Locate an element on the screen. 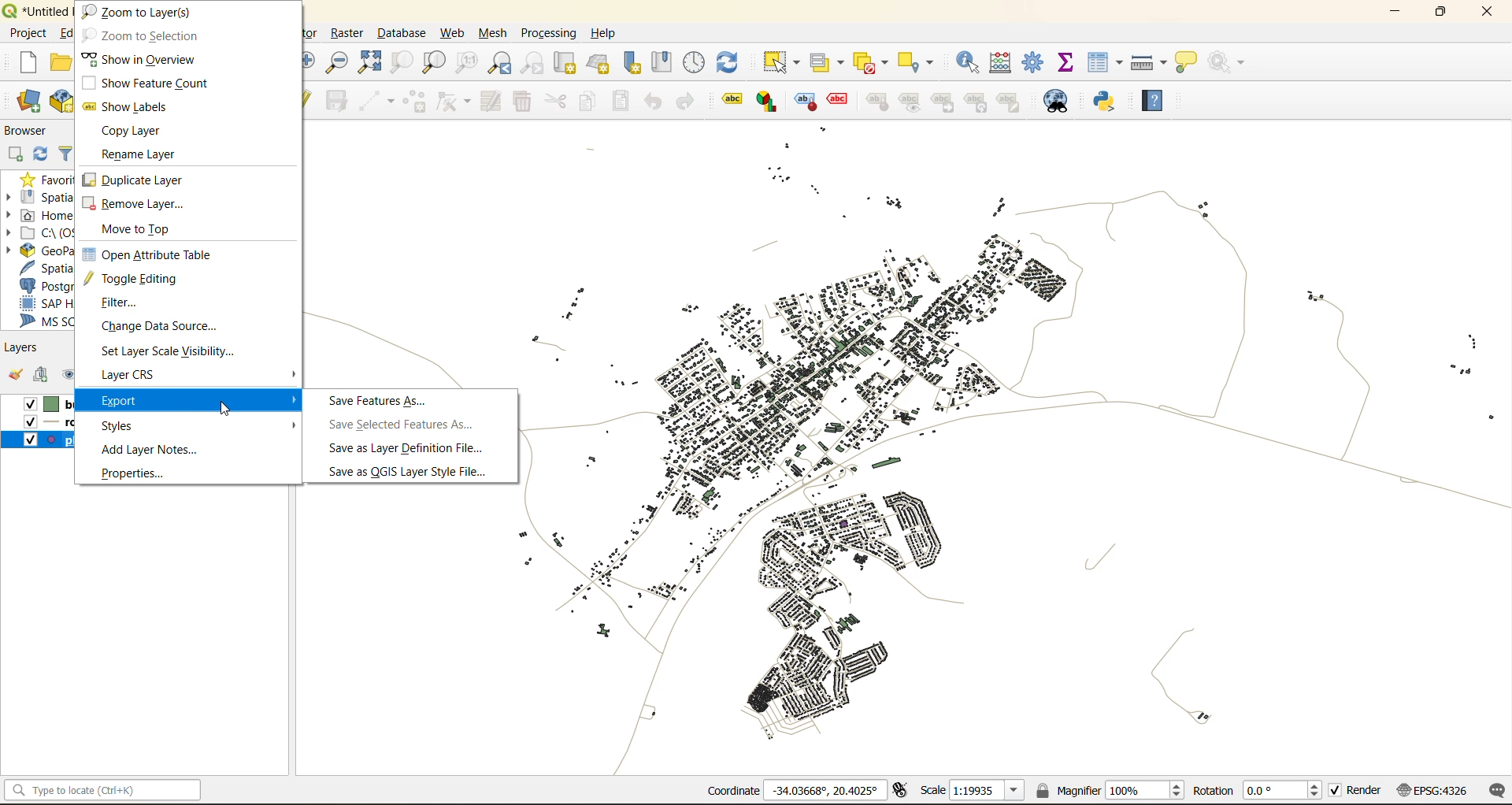 The width and height of the screenshot is (1512, 805). select value is located at coordinates (826, 61).